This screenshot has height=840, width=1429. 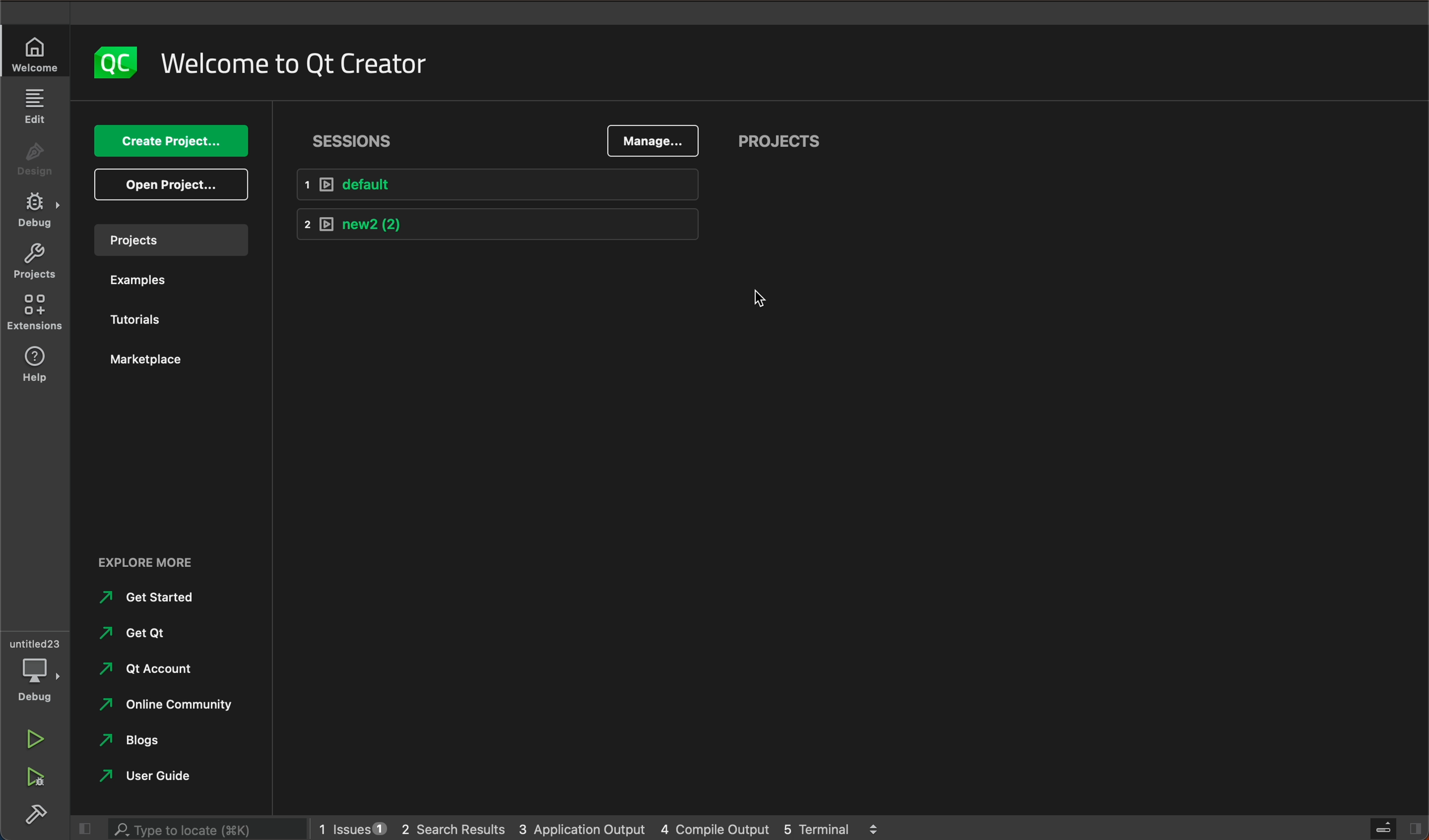 I want to click on projects, so click(x=781, y=143).